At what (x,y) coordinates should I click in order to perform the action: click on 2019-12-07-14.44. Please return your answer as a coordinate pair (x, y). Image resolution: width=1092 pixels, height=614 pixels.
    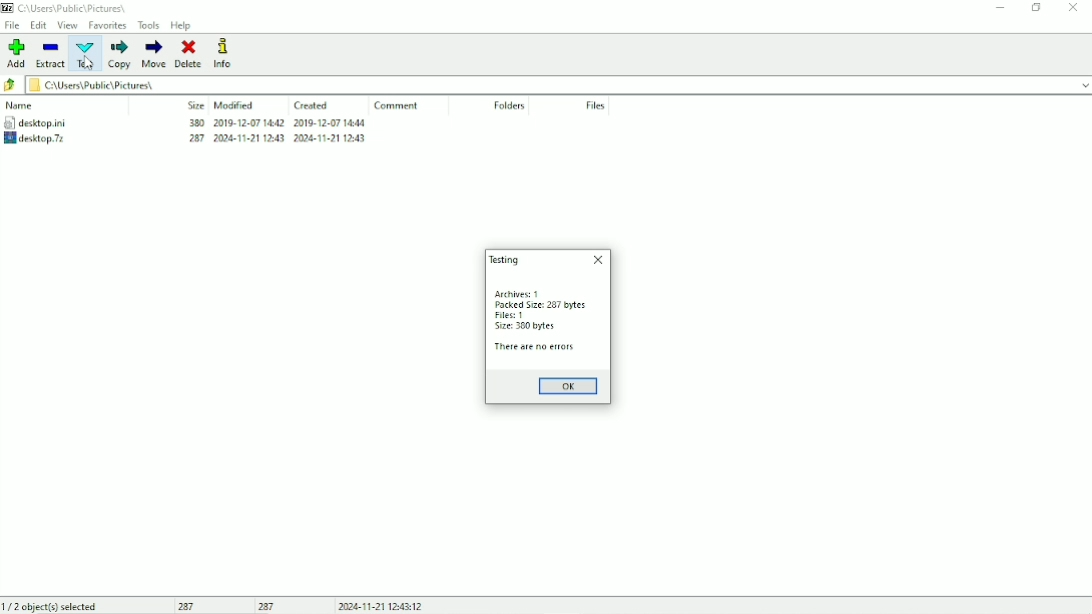
    Looking at the image, I should click on (330, 122).